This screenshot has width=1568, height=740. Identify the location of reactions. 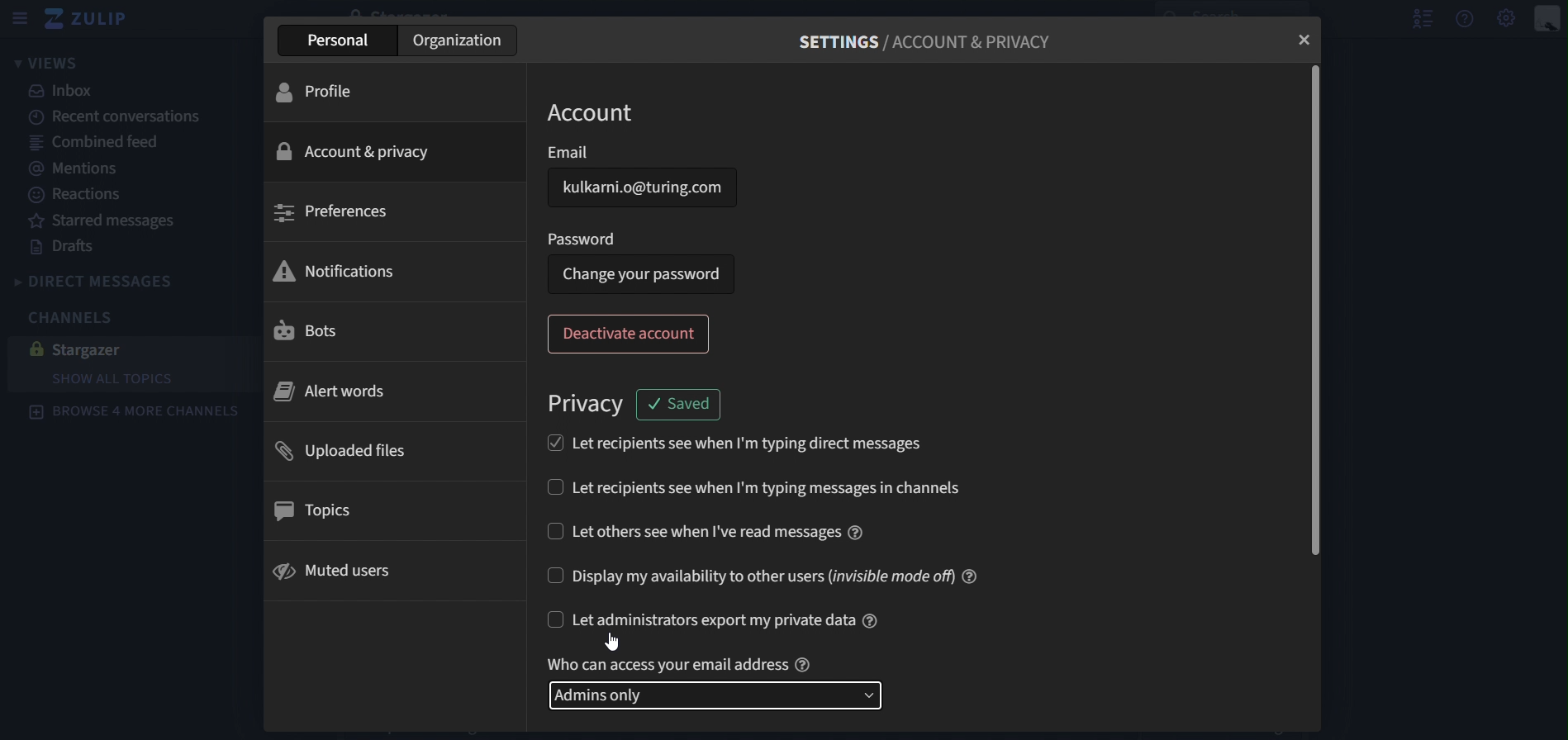
(76, 196).